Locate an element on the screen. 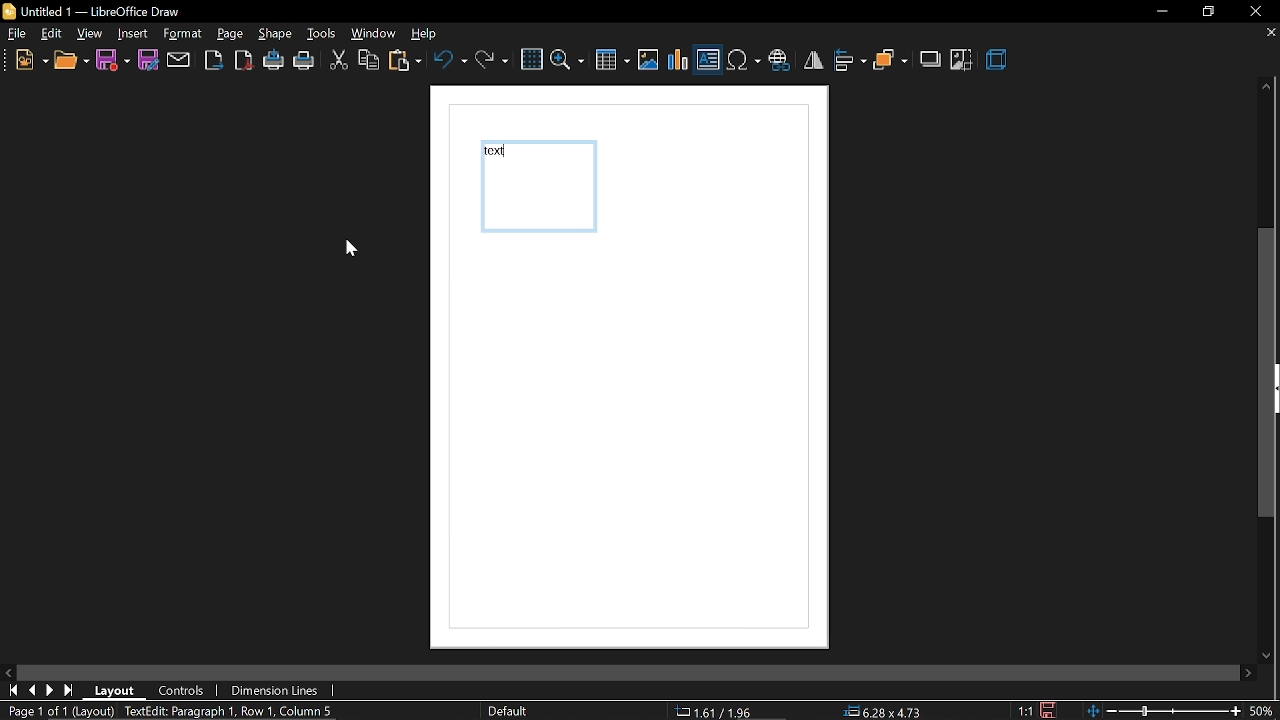  co-ordinate is located at coordinates (721, 711).